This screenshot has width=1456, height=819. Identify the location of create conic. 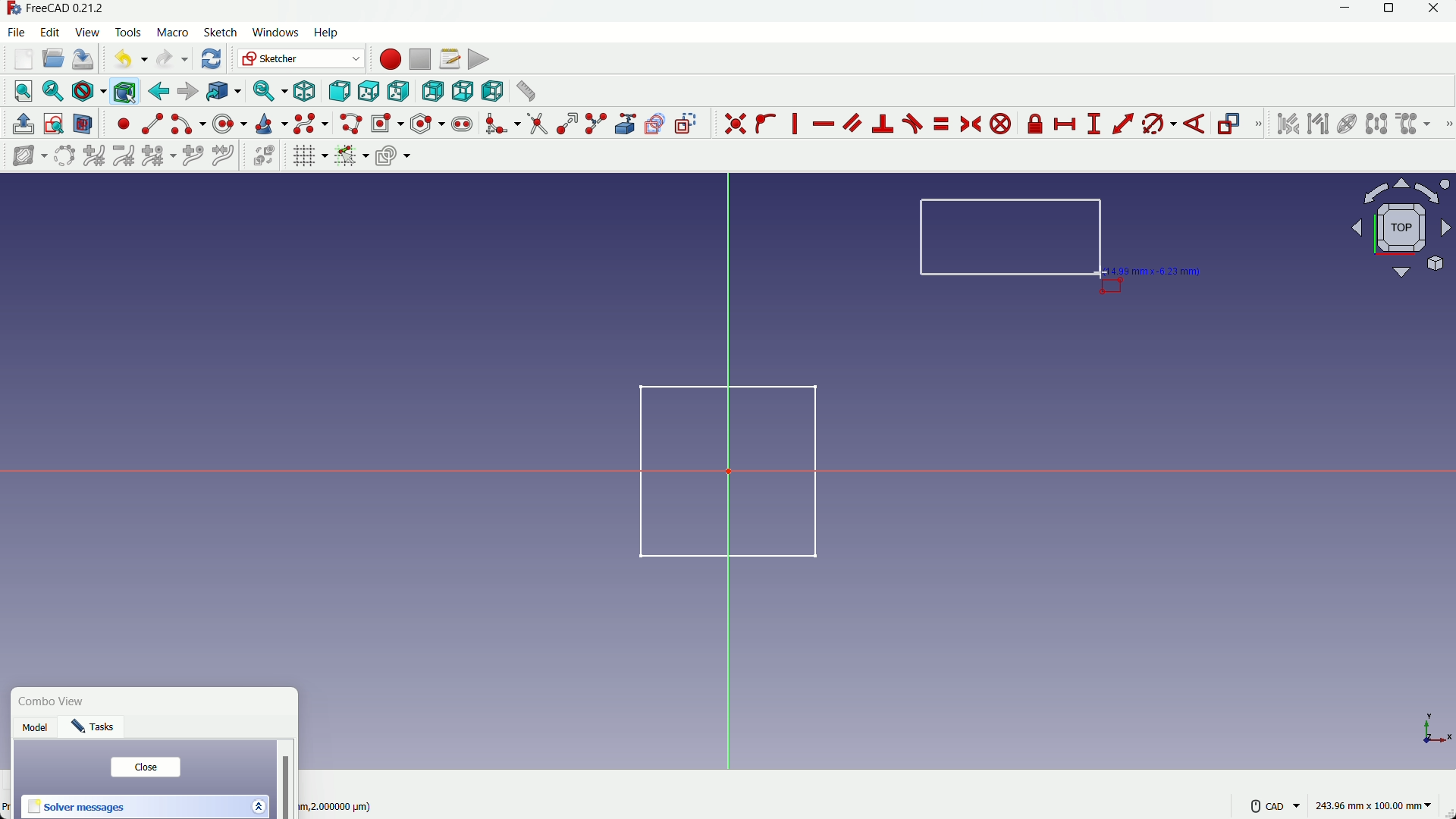
(270, 123).